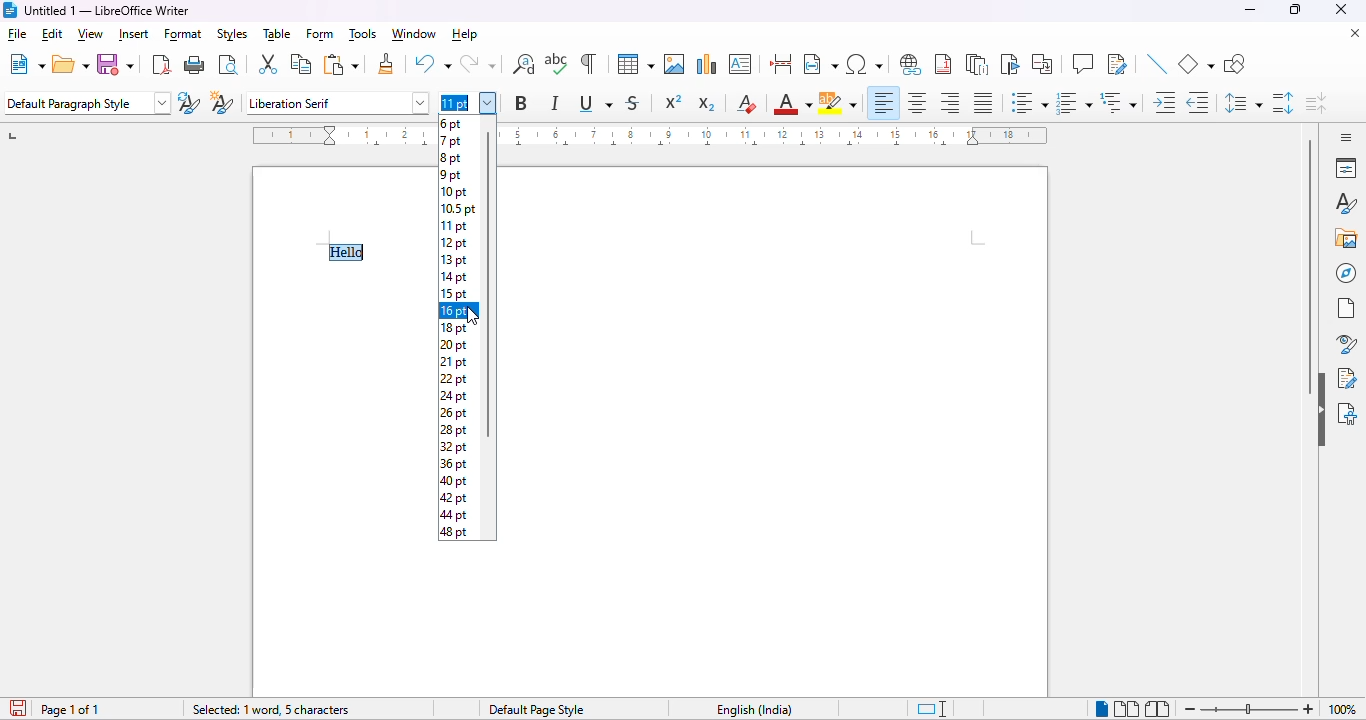 The height and width of the screenshot is (720, 1366). I want to click on 24 pt, so click(454, 397).